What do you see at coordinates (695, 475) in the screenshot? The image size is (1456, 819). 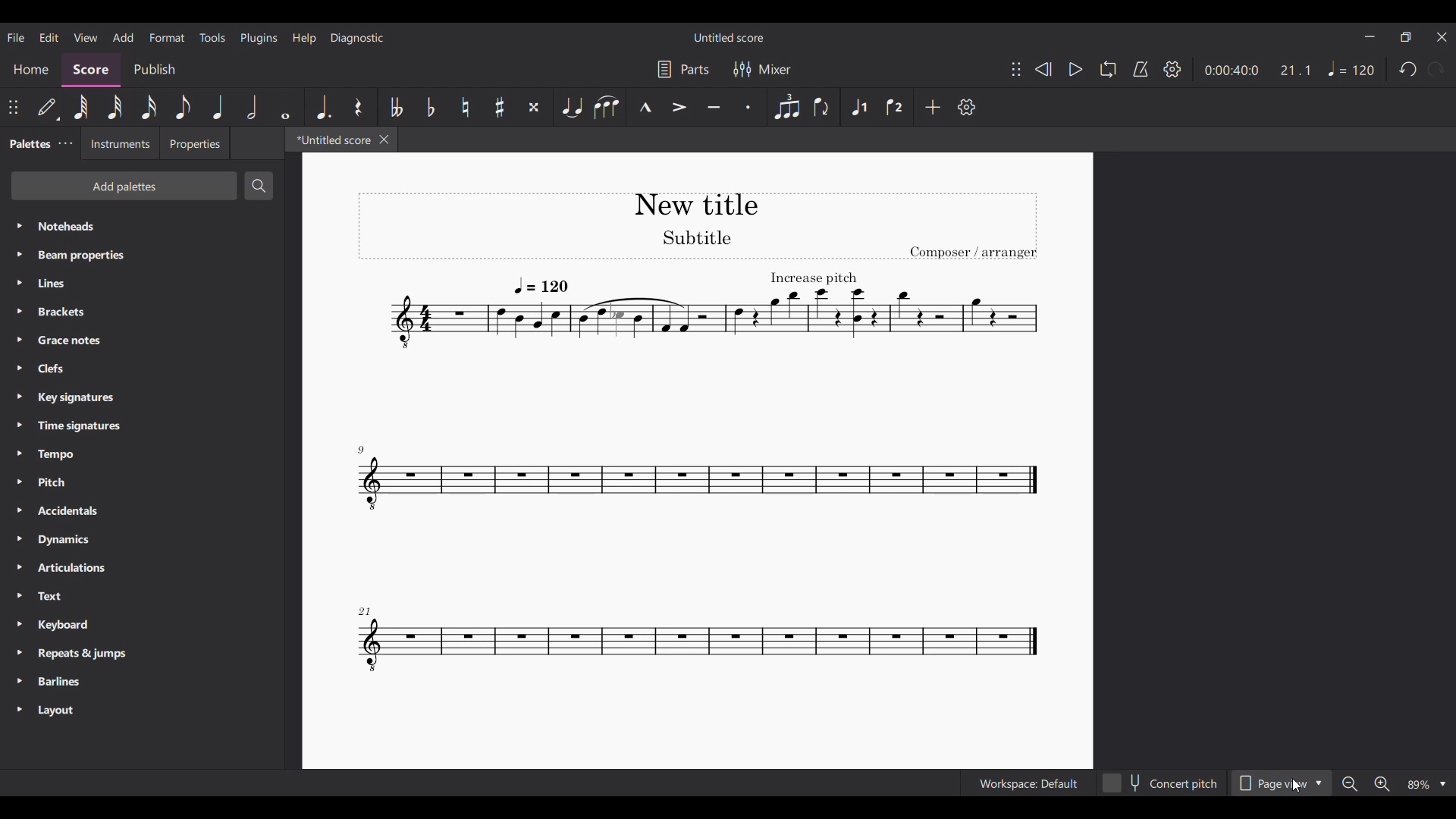 I see `Current score` at bounding box center [695, 475].